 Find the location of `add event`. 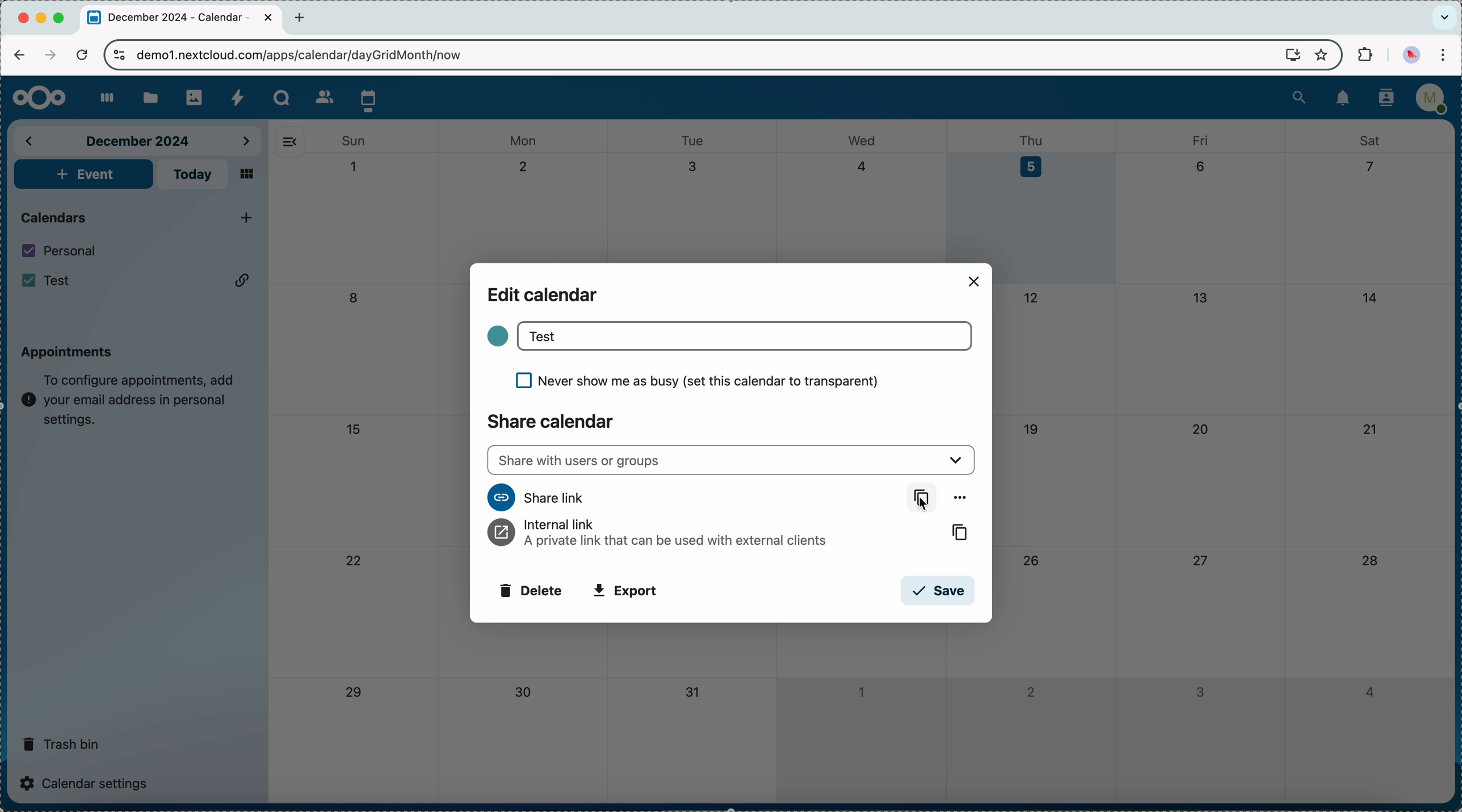

add event is located at coordinates (83, 174).